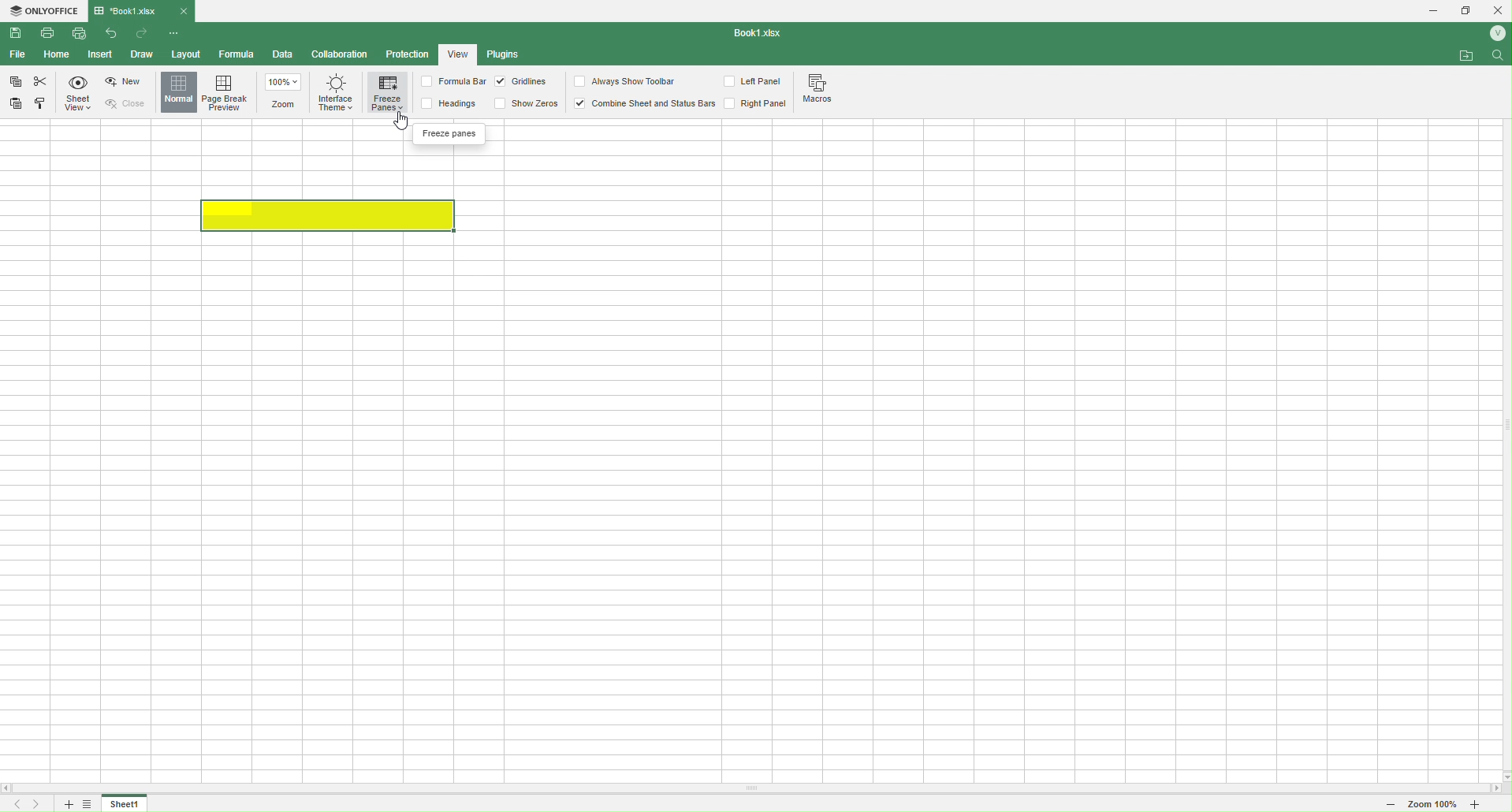 This screenshot has height=812, width=1512. Describe the element at coordinates (527, 102) in the screenshot. I see `Show zeros` at that location.